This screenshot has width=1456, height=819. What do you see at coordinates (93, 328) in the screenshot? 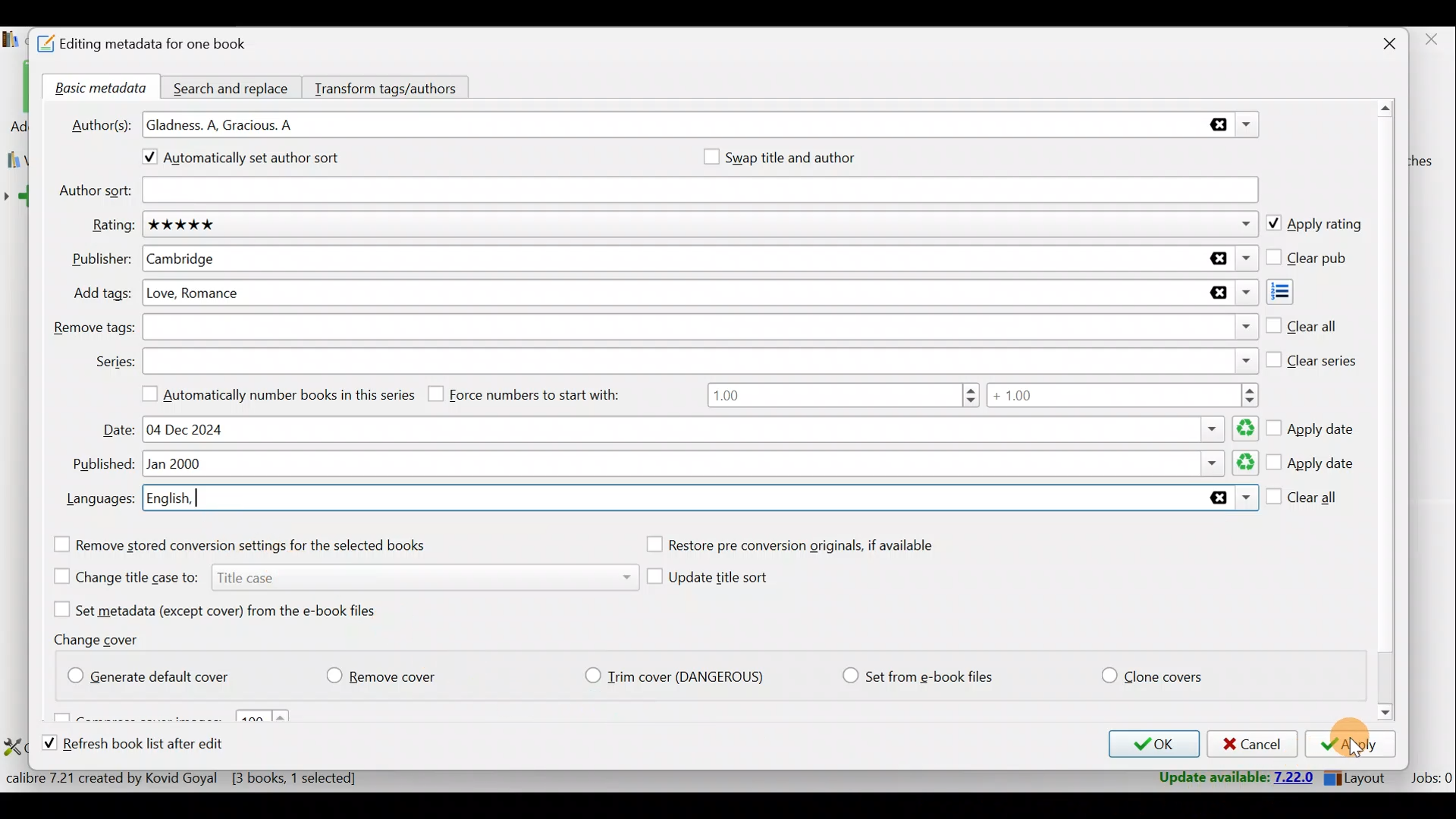
I see `Remove tags:` at bounding box center [93, 328].